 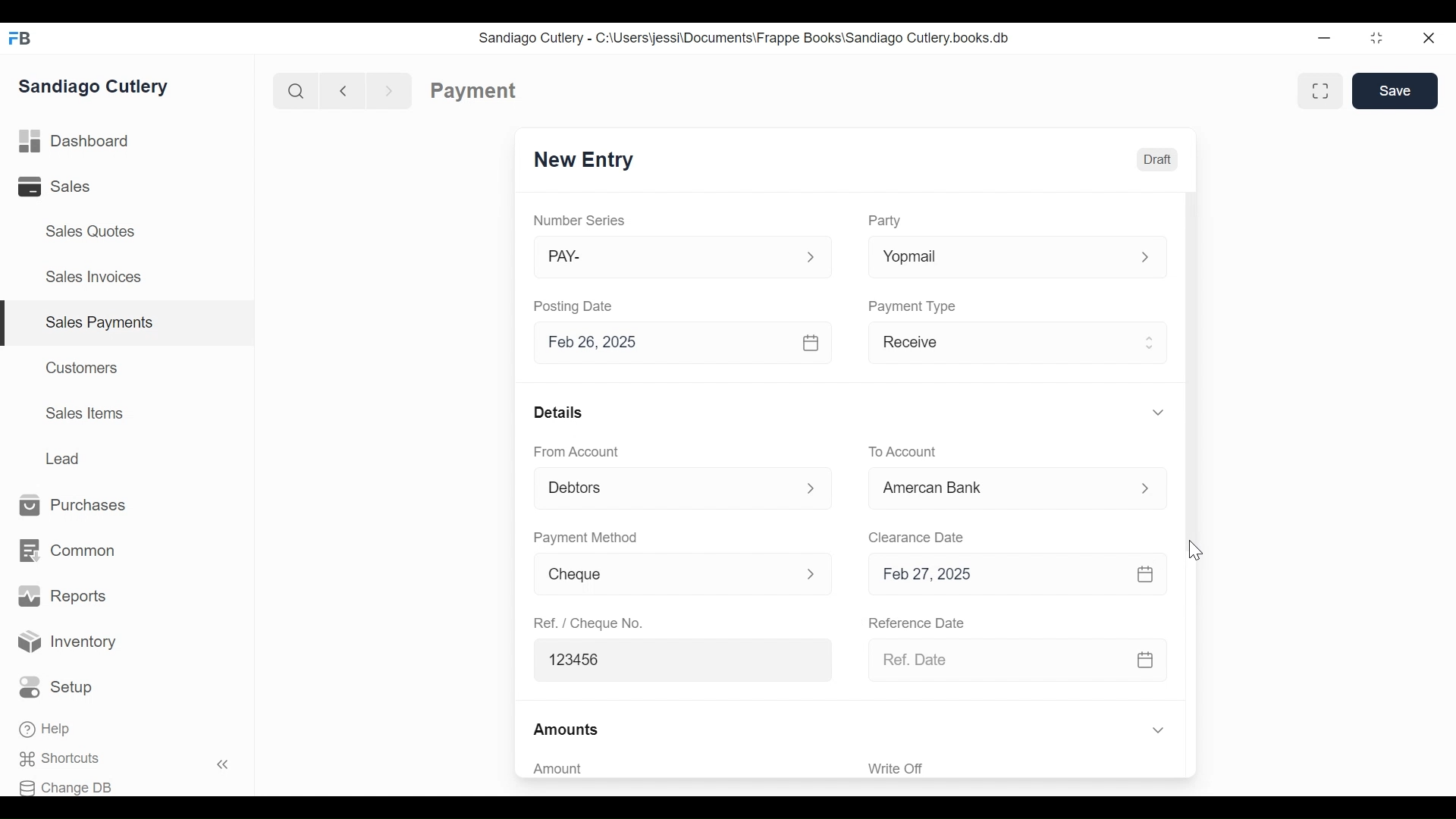 I want to click on Sales Invoices, so click(x=93, y=278).